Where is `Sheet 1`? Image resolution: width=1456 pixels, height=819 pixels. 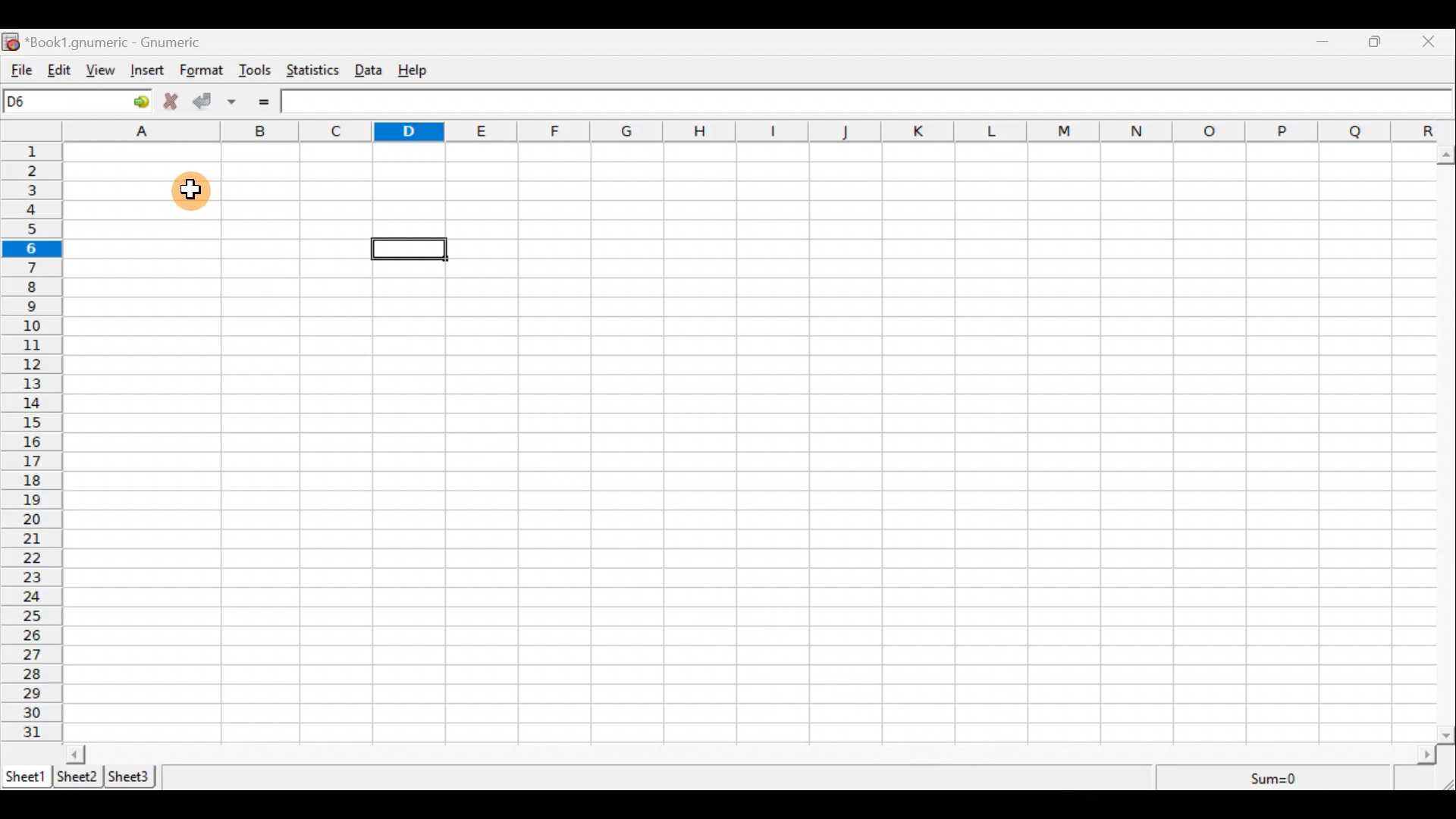 Sheet 1 is located at coordinates (24, 777).